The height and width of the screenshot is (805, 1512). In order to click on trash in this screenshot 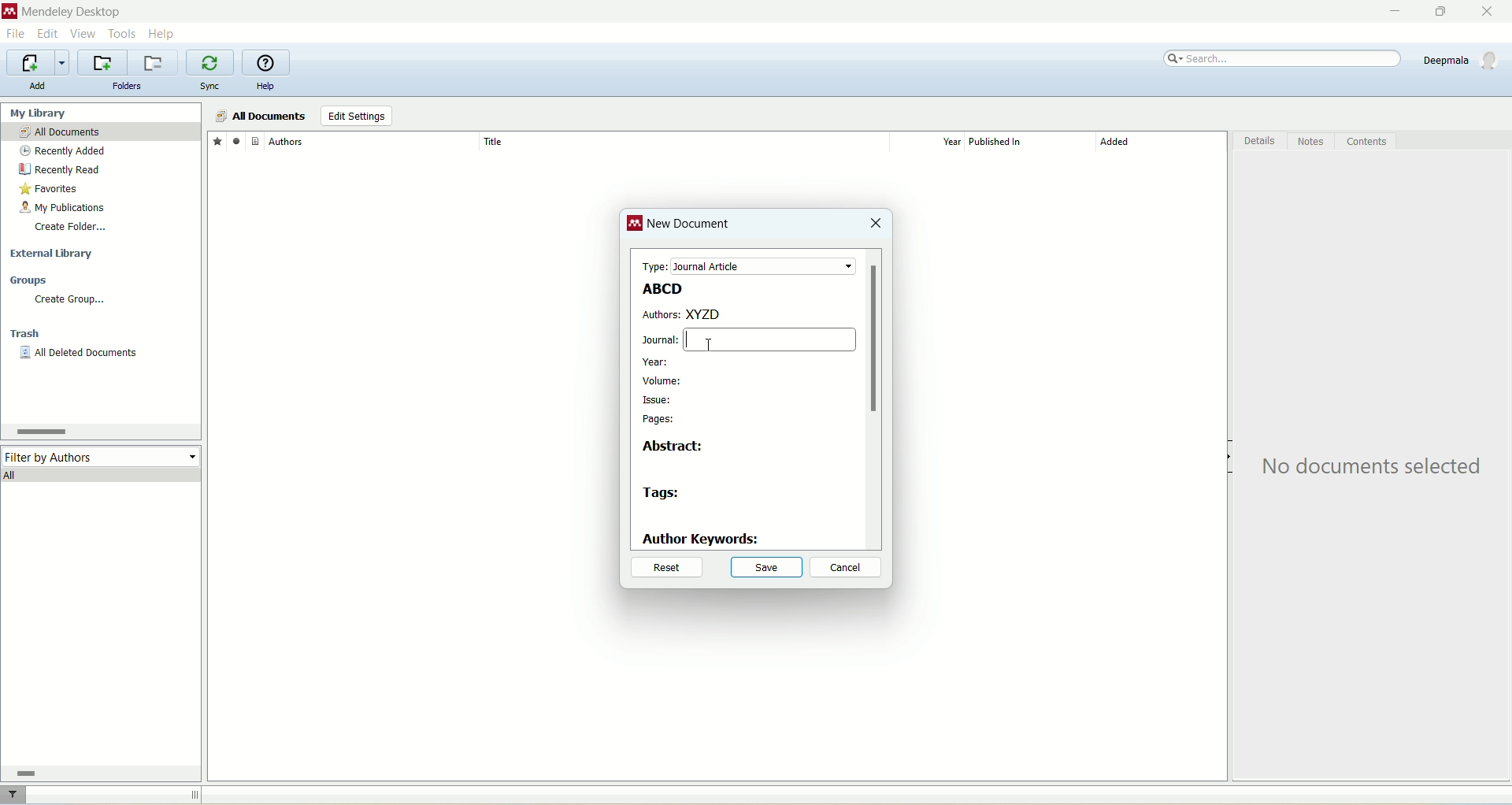, I will do `click(28, 336)`.